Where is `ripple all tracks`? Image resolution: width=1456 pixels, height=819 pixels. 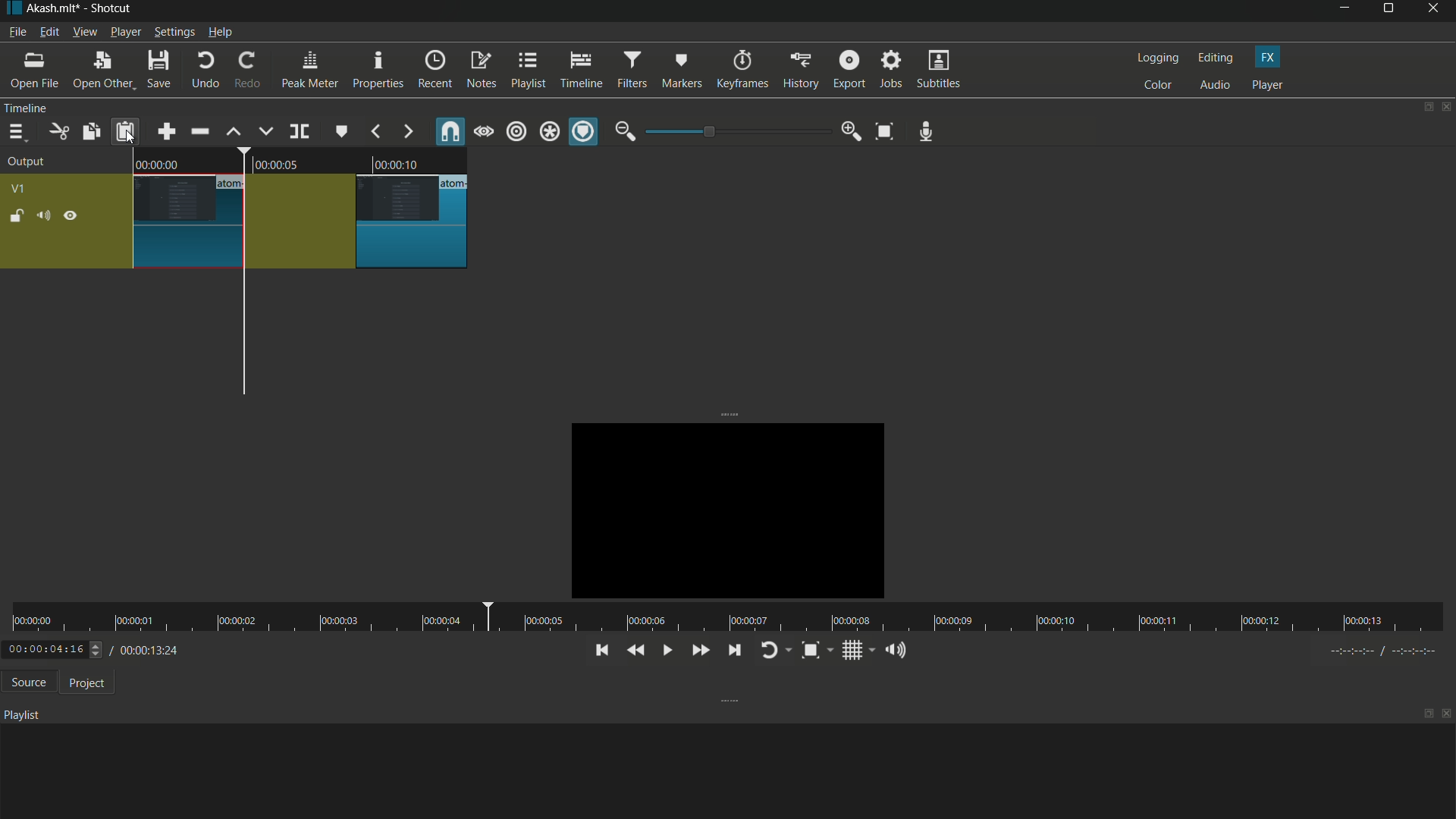
ripple all tracks is located at coordinates (549, 133).